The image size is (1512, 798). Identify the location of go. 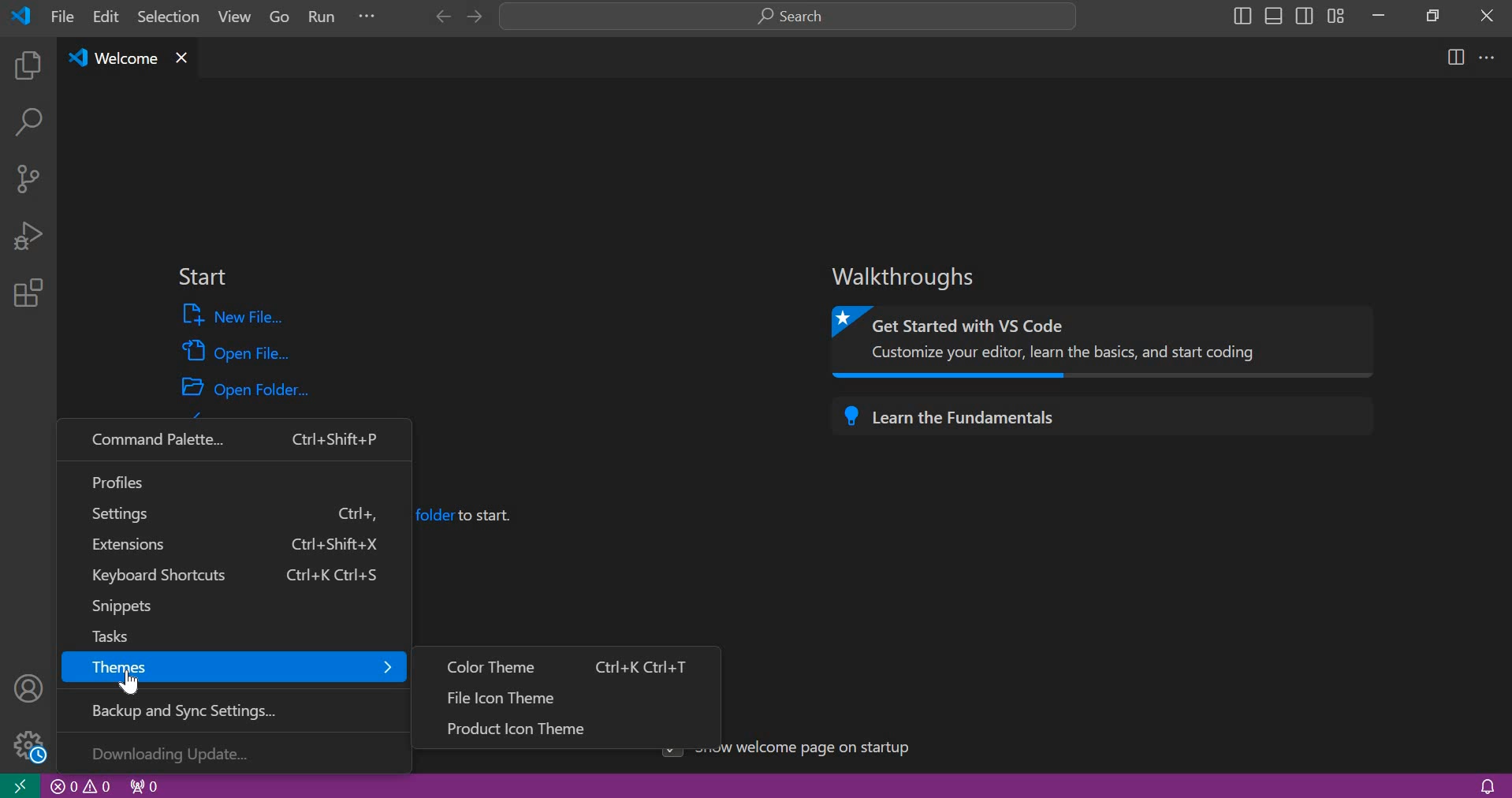
(280, 19).